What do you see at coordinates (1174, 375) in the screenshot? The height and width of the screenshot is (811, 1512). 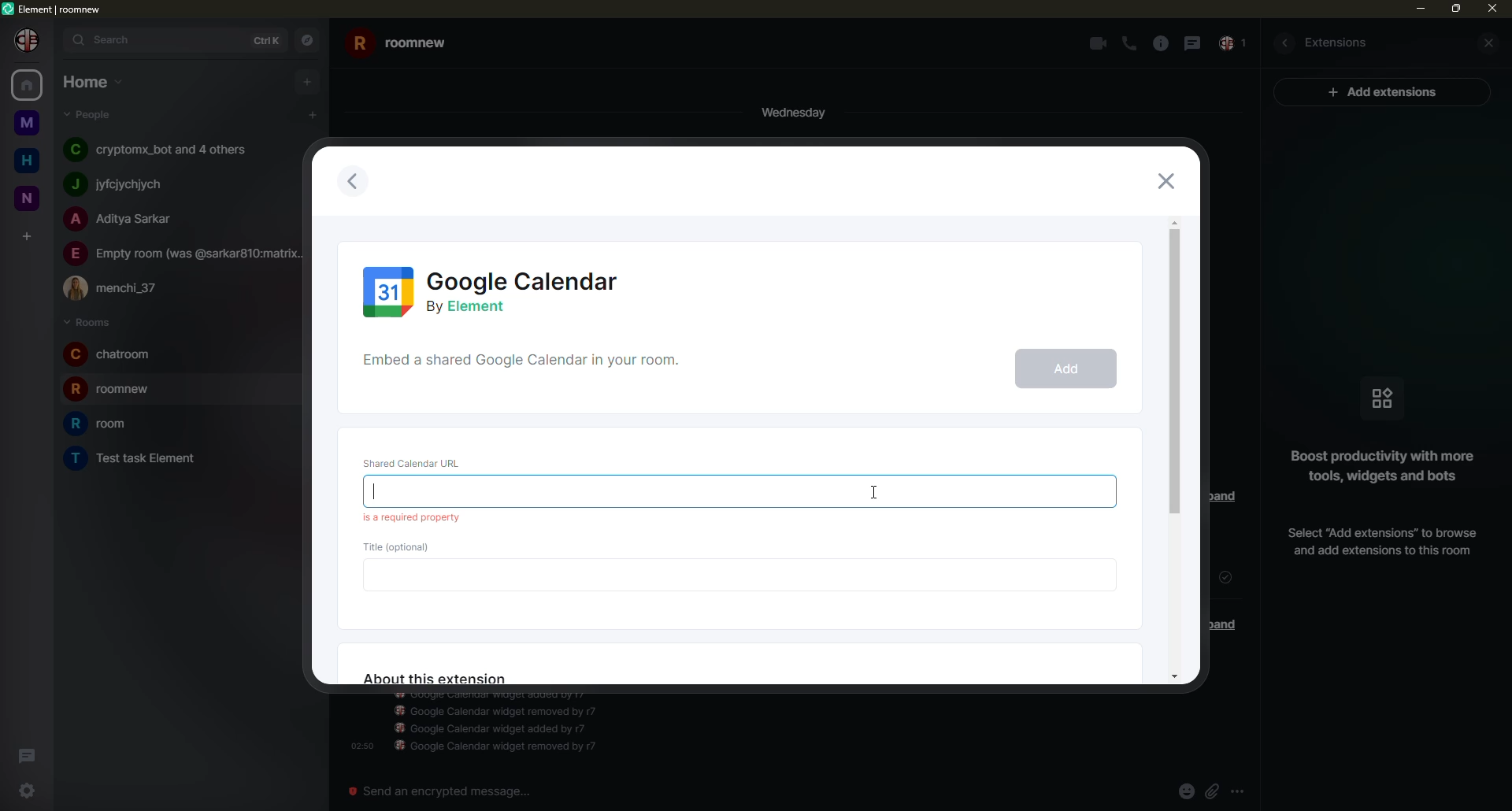 I see `scroll` at bounding box center [1174, 375].